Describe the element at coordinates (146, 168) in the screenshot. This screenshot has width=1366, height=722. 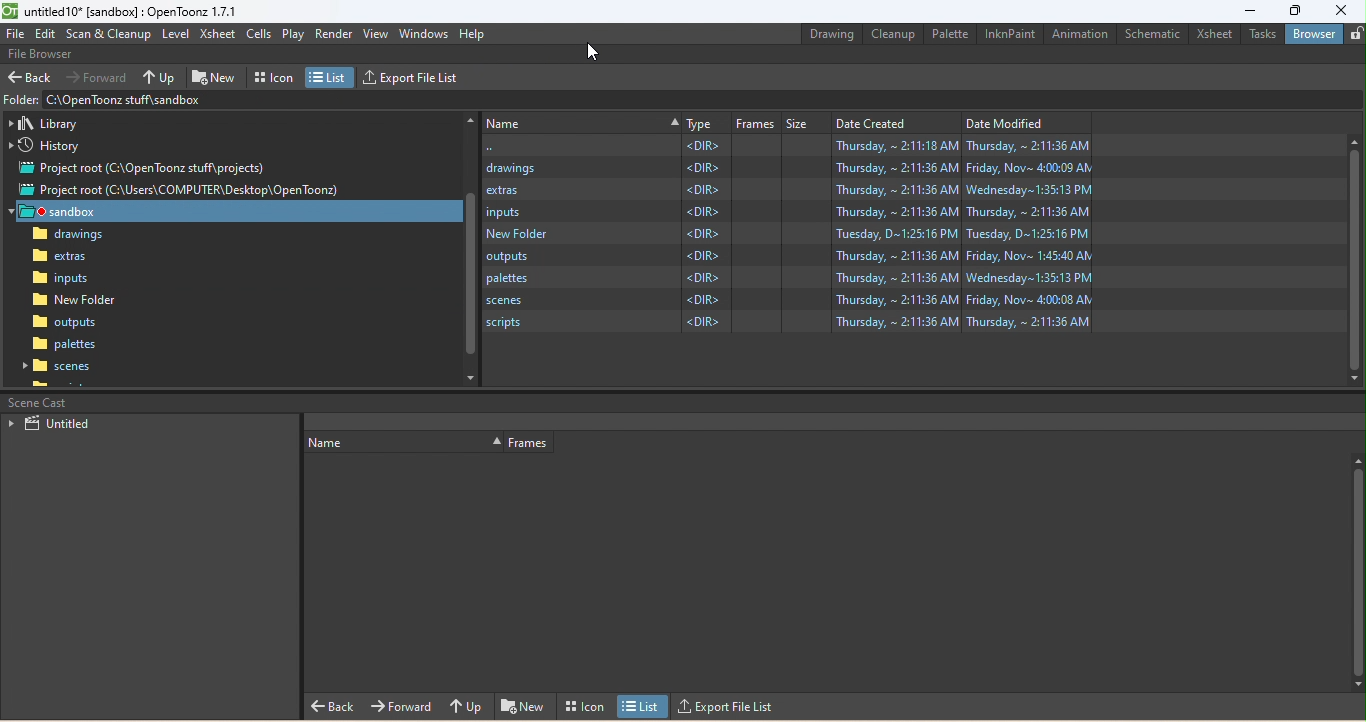
I see `Project root` at that location.